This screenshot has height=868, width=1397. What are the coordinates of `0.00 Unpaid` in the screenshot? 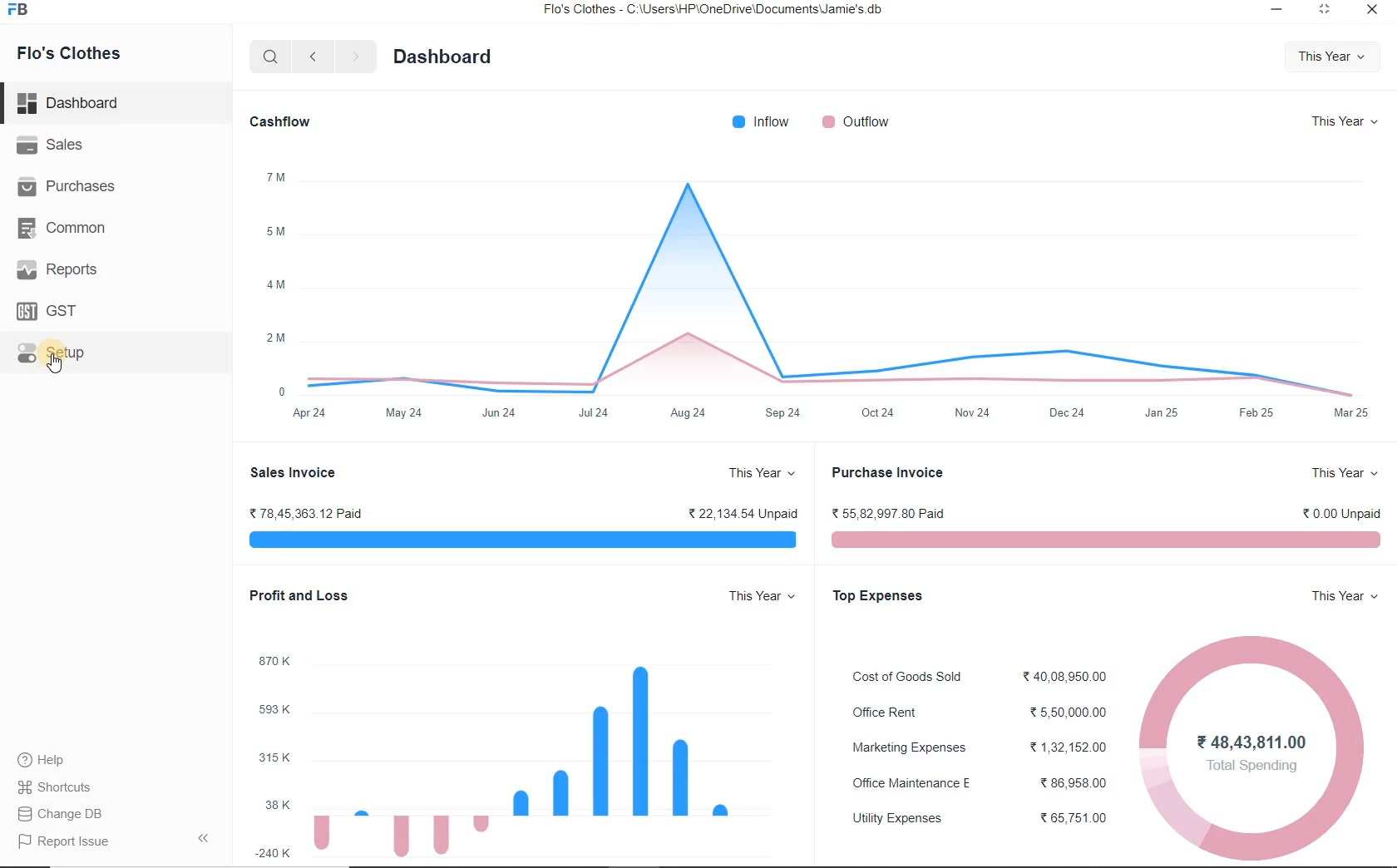 It's located at (1338, 511).